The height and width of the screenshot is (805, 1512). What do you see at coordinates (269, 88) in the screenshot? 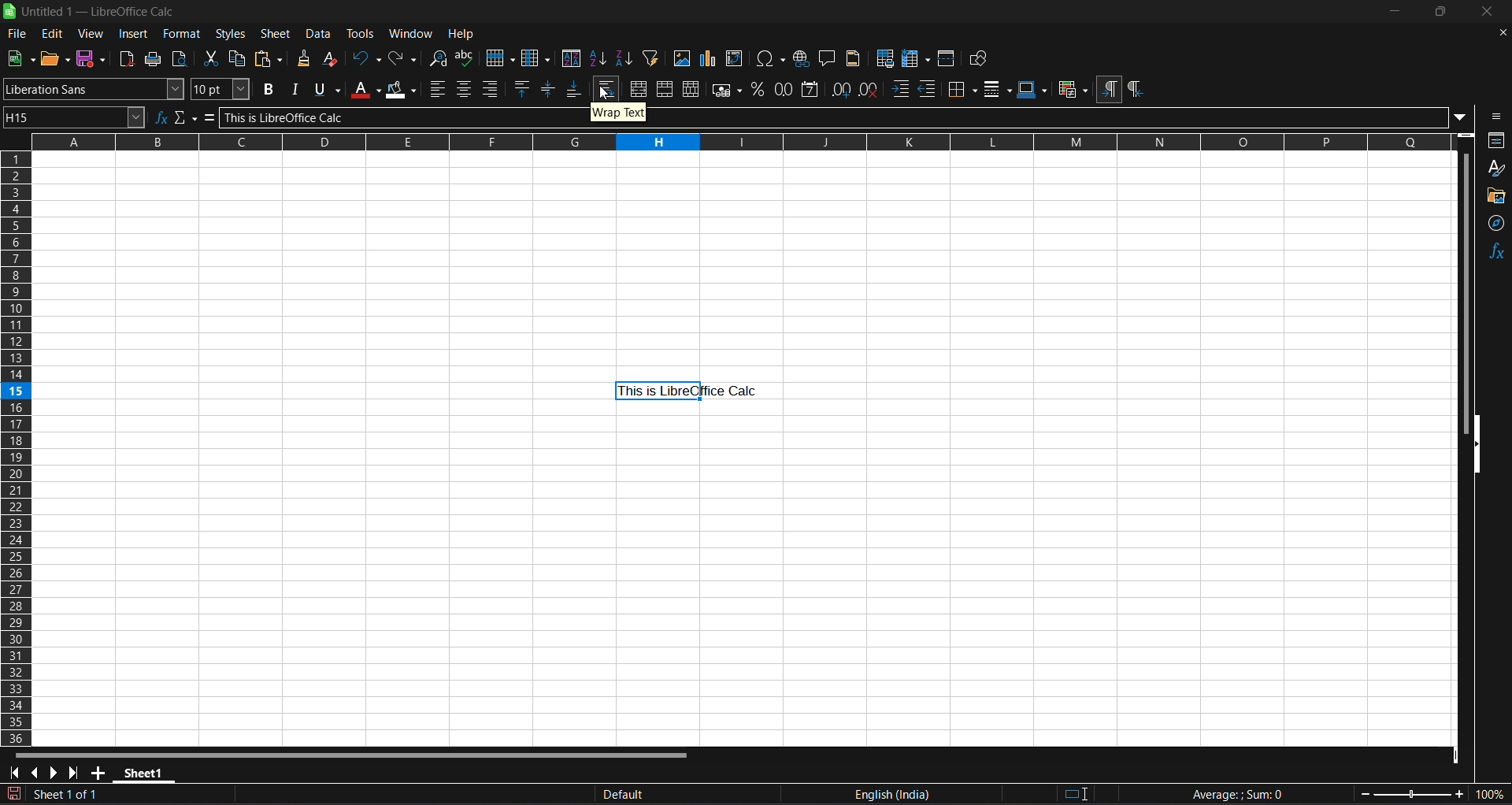
I see `bold` at bounding box center [269, 88].